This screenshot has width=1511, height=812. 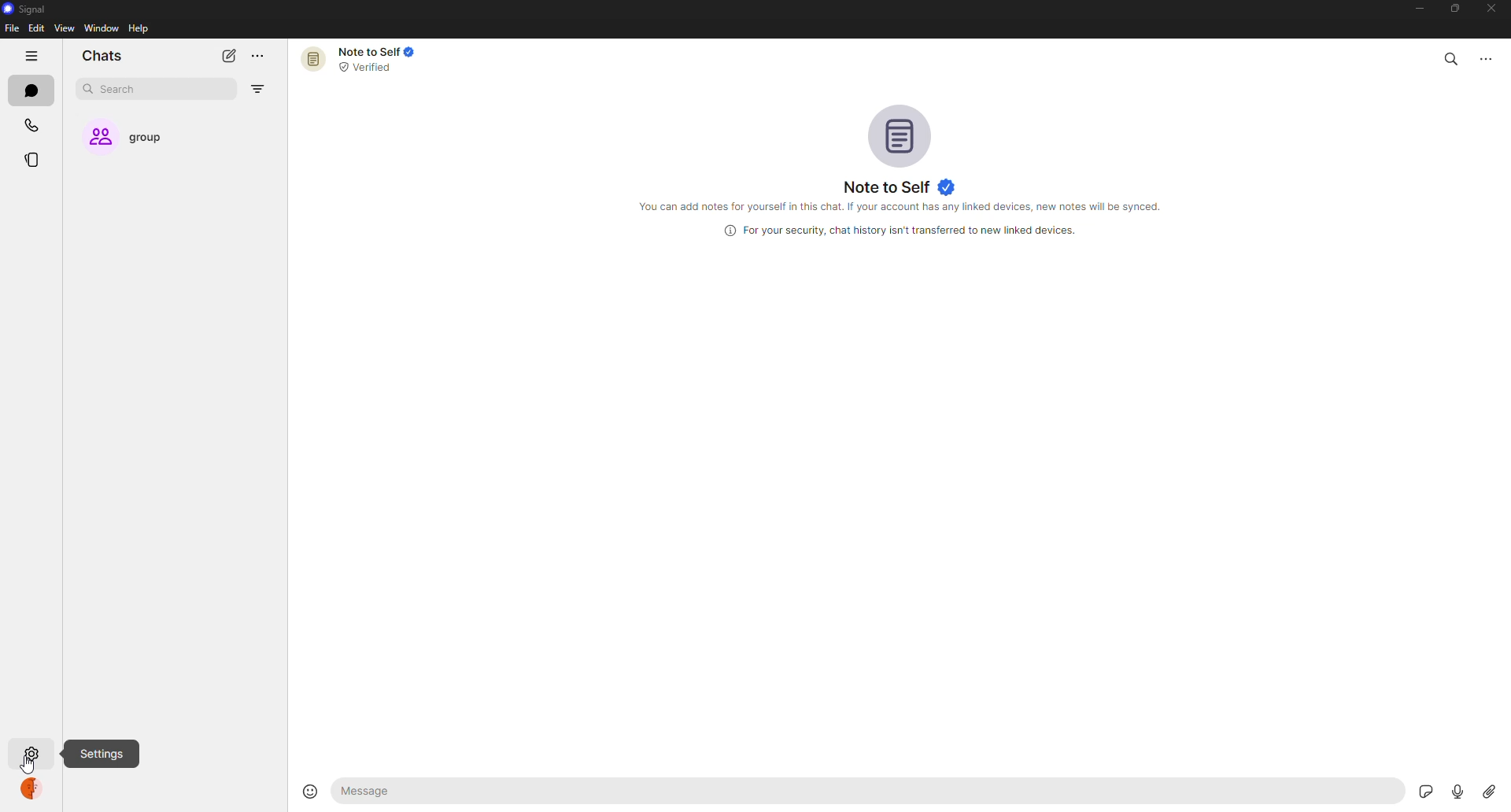 I want to click on profile pic, so click(x=902, y=134).